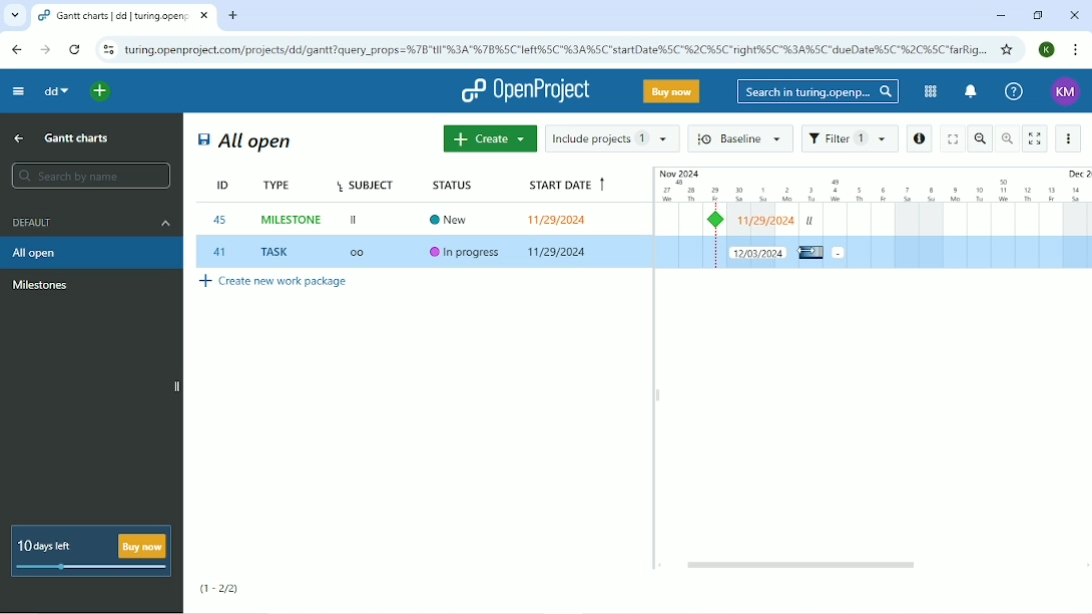 The image size is (1092, 614). I want to click on Subject, so click(365, 182).